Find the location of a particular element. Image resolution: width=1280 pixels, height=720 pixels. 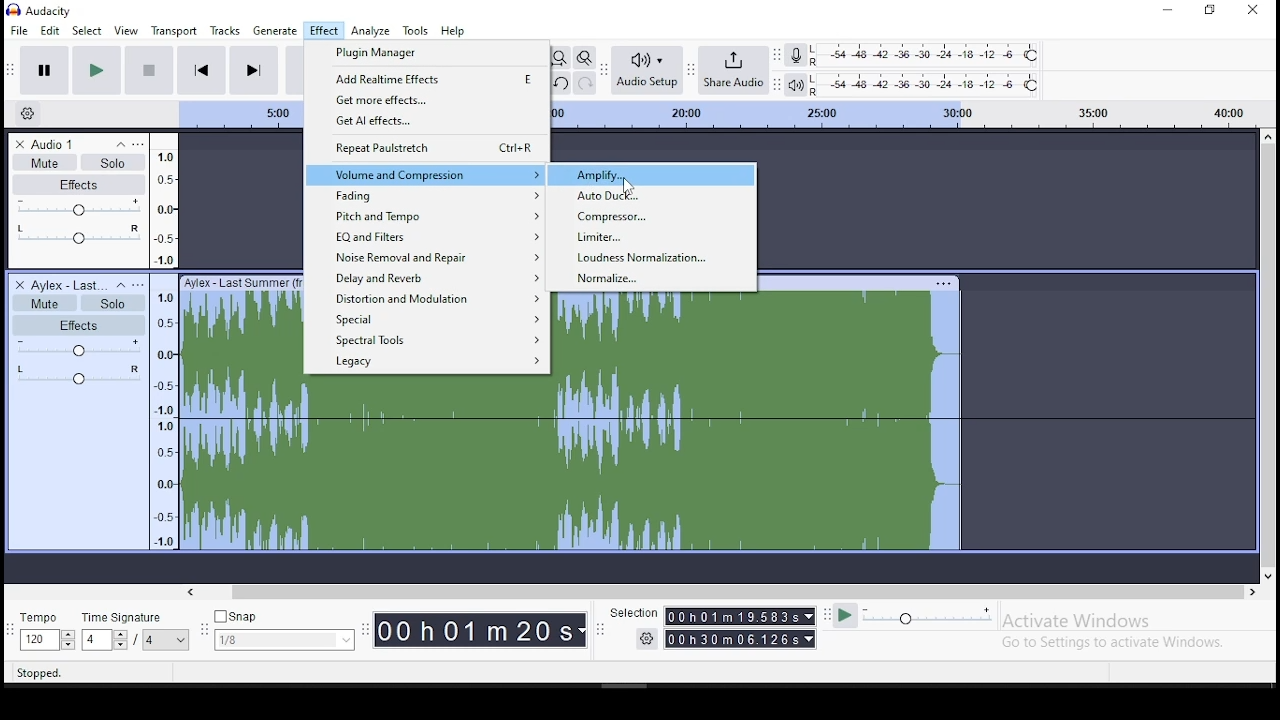

recording level is located at coordinates (927, 55).